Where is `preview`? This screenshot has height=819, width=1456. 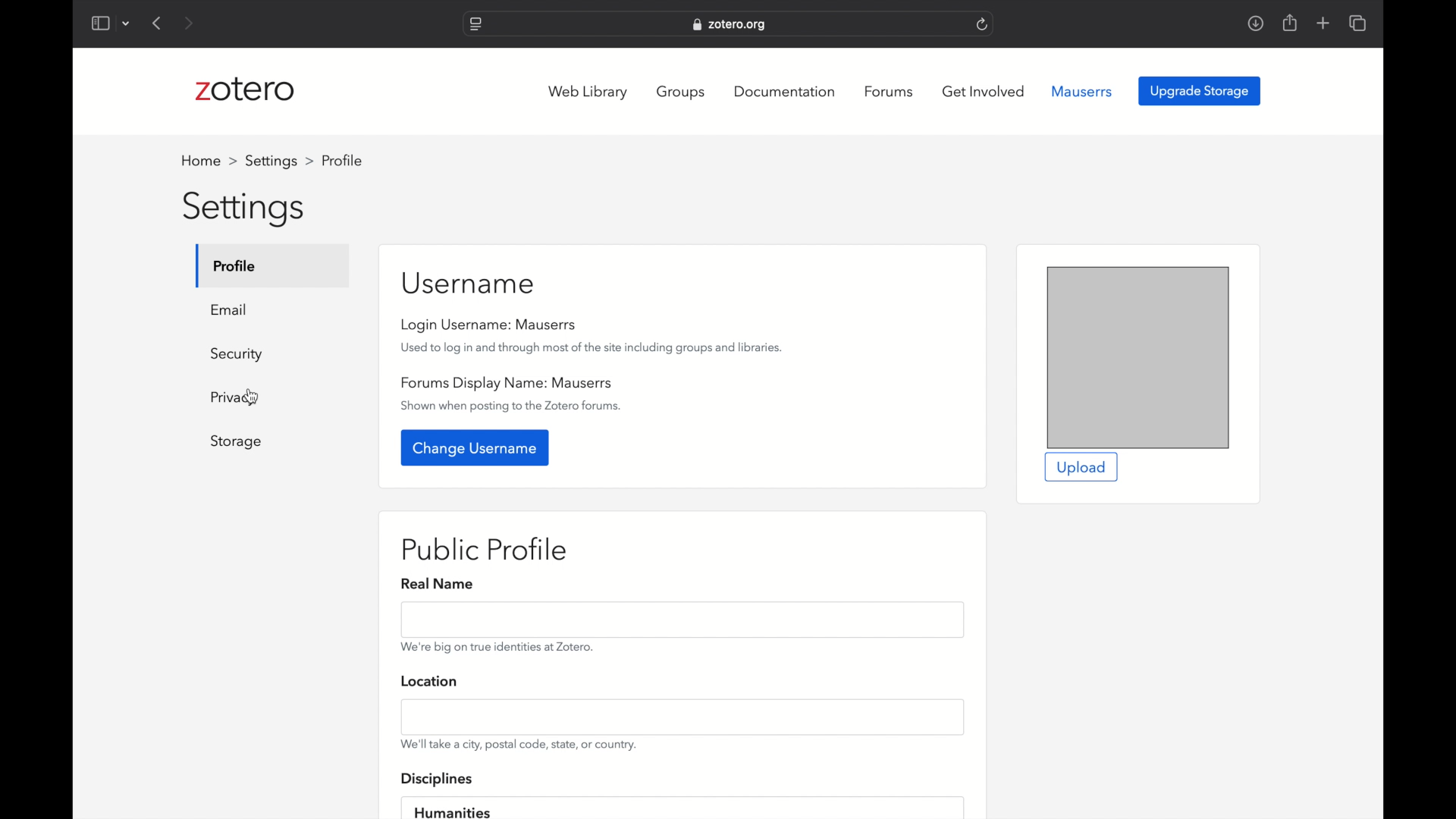 preview is located at coordinates (1138, 357).